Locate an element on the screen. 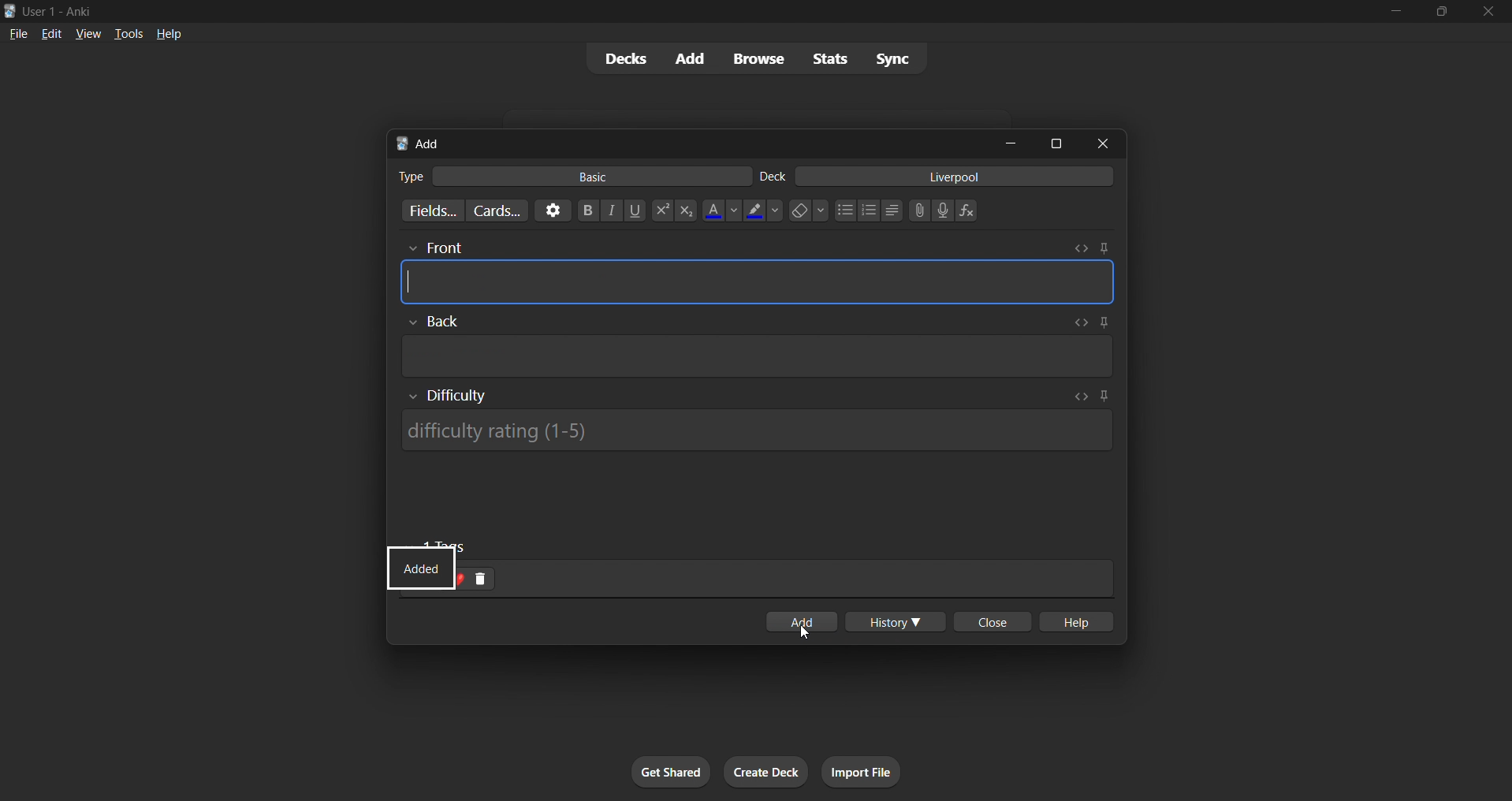  file is located at coordinates (15, 33).